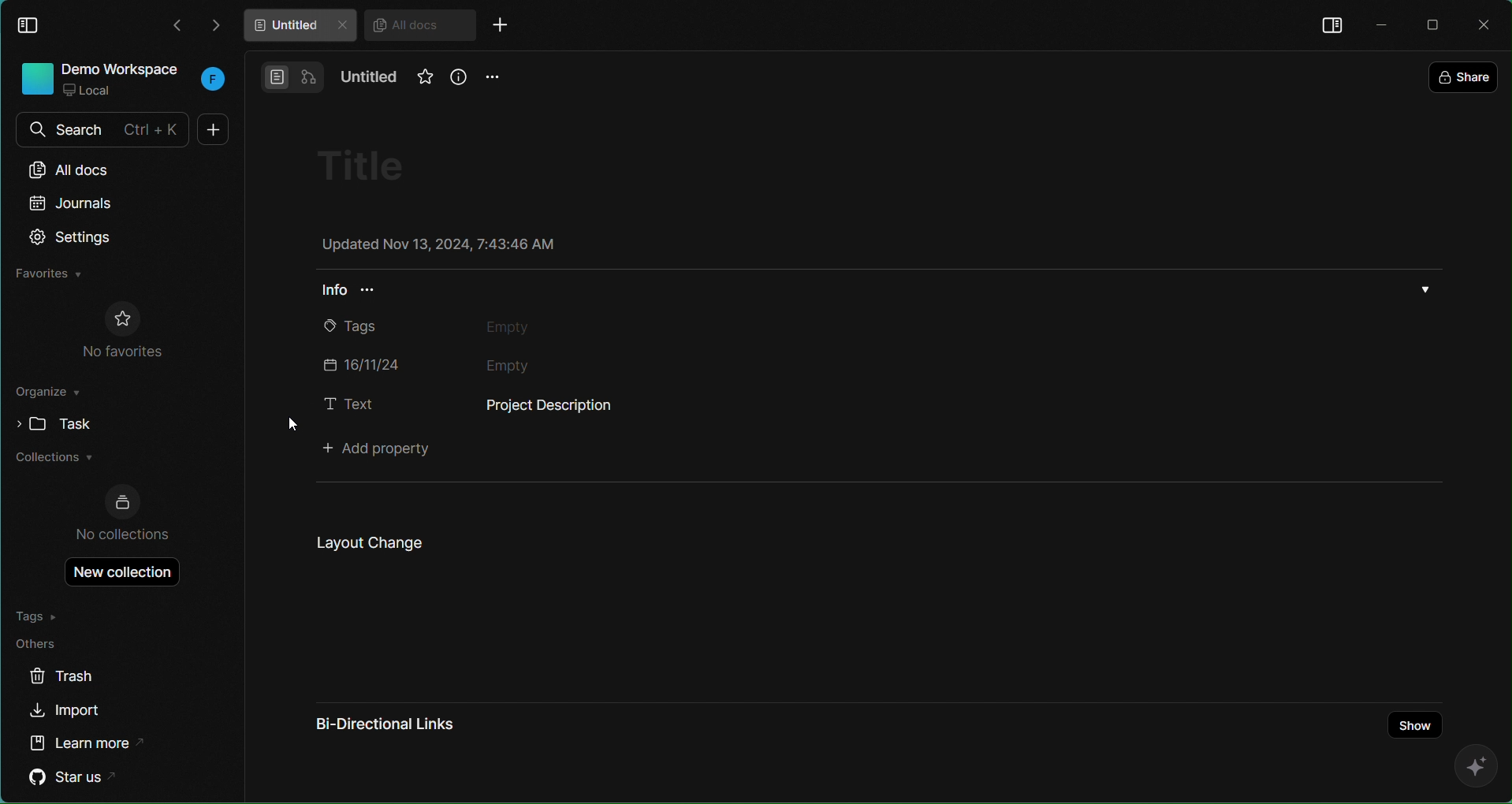 Image resolution: width=1512 pixels, height=804 pixels. Describe the element at coordinates (420, 26) in the screenshot. I see `@ All docs` at that location.